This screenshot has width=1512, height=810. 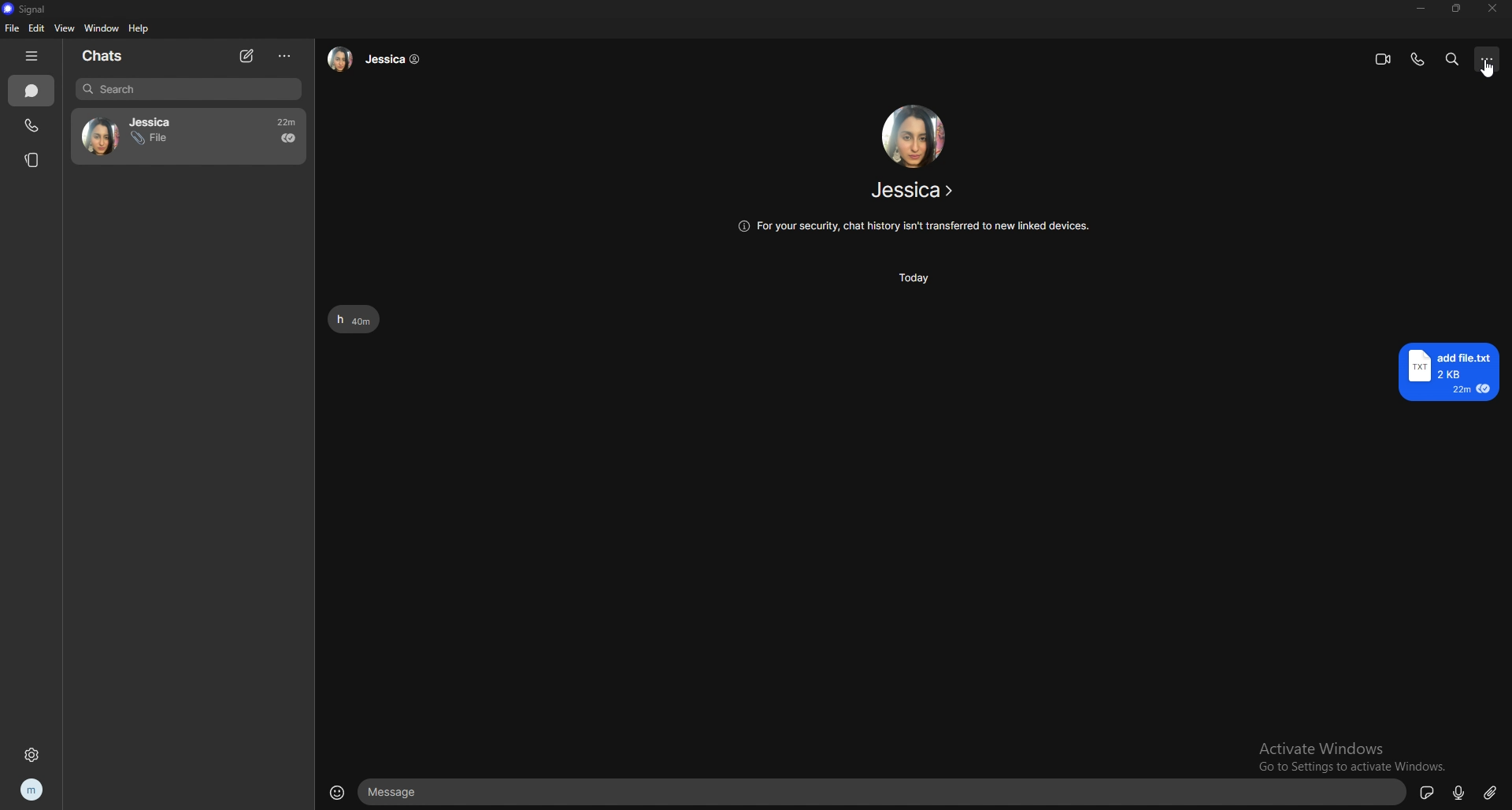 I want to click on resize, so click(x=1456, y=8).